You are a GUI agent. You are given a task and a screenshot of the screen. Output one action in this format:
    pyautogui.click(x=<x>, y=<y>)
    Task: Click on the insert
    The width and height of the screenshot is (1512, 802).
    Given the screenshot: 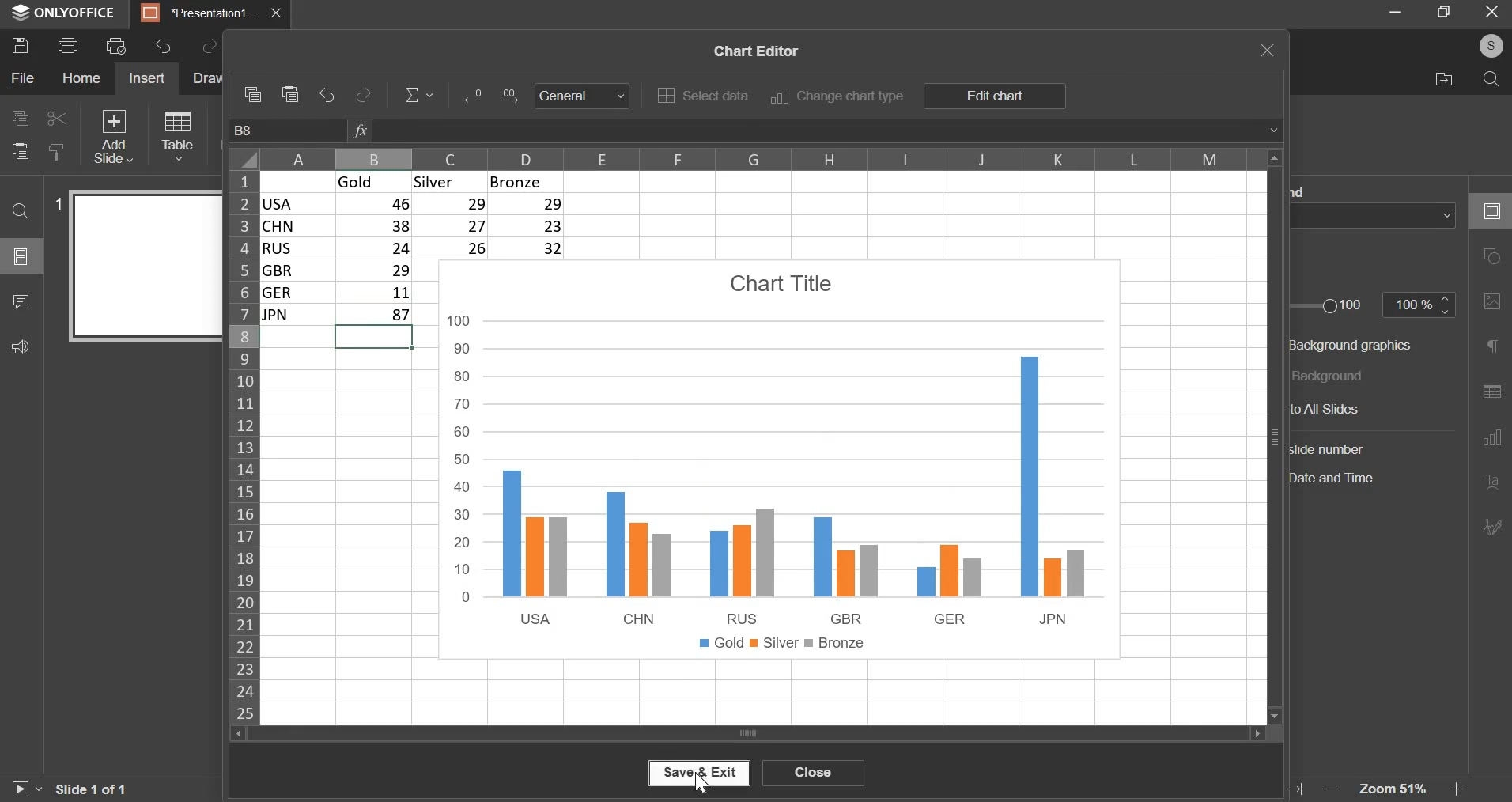 What is the action you would take?
    pyautogui.click(x=146, y=78)
    